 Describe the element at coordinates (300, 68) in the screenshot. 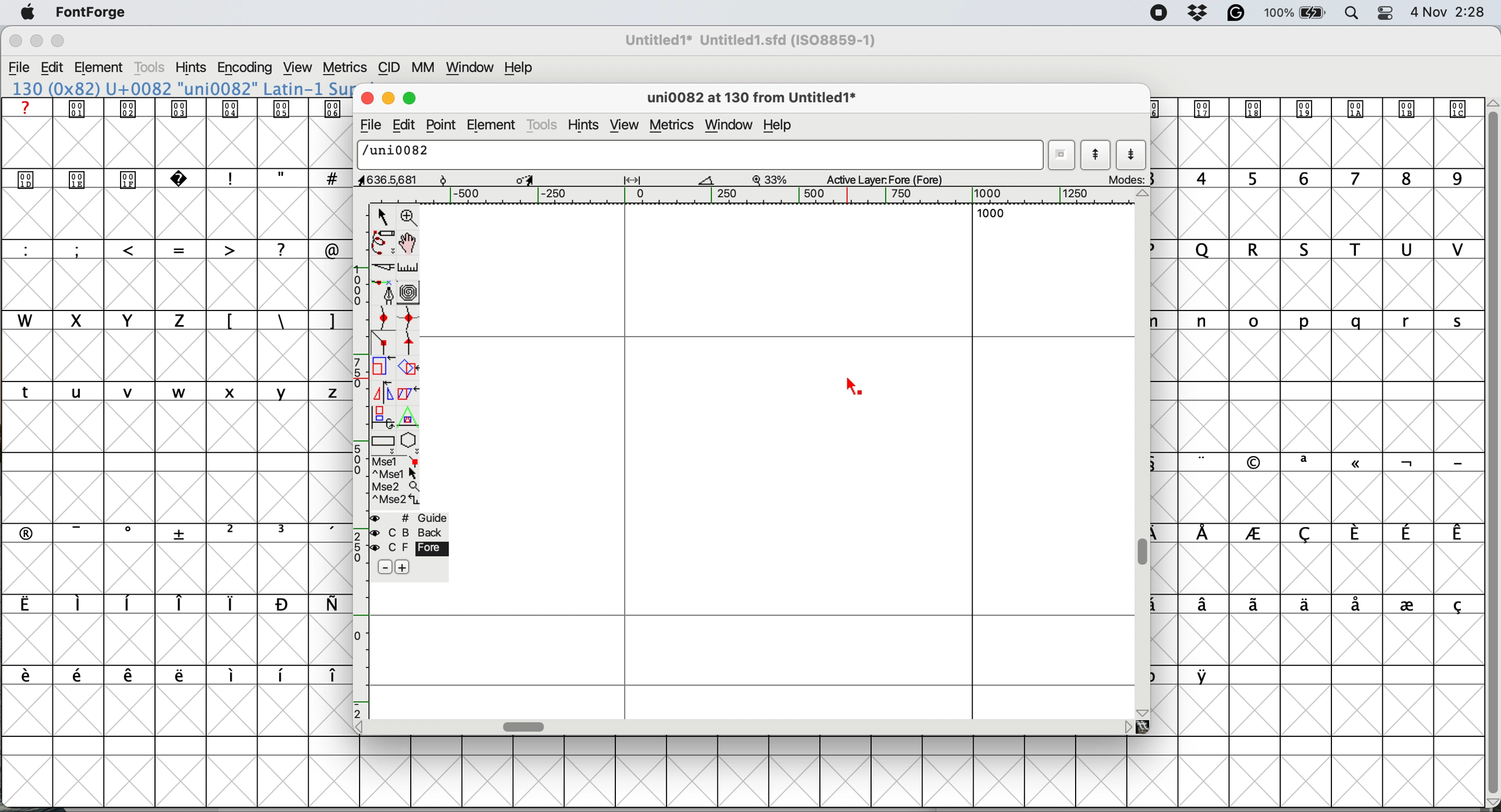

I see `view` at that location.